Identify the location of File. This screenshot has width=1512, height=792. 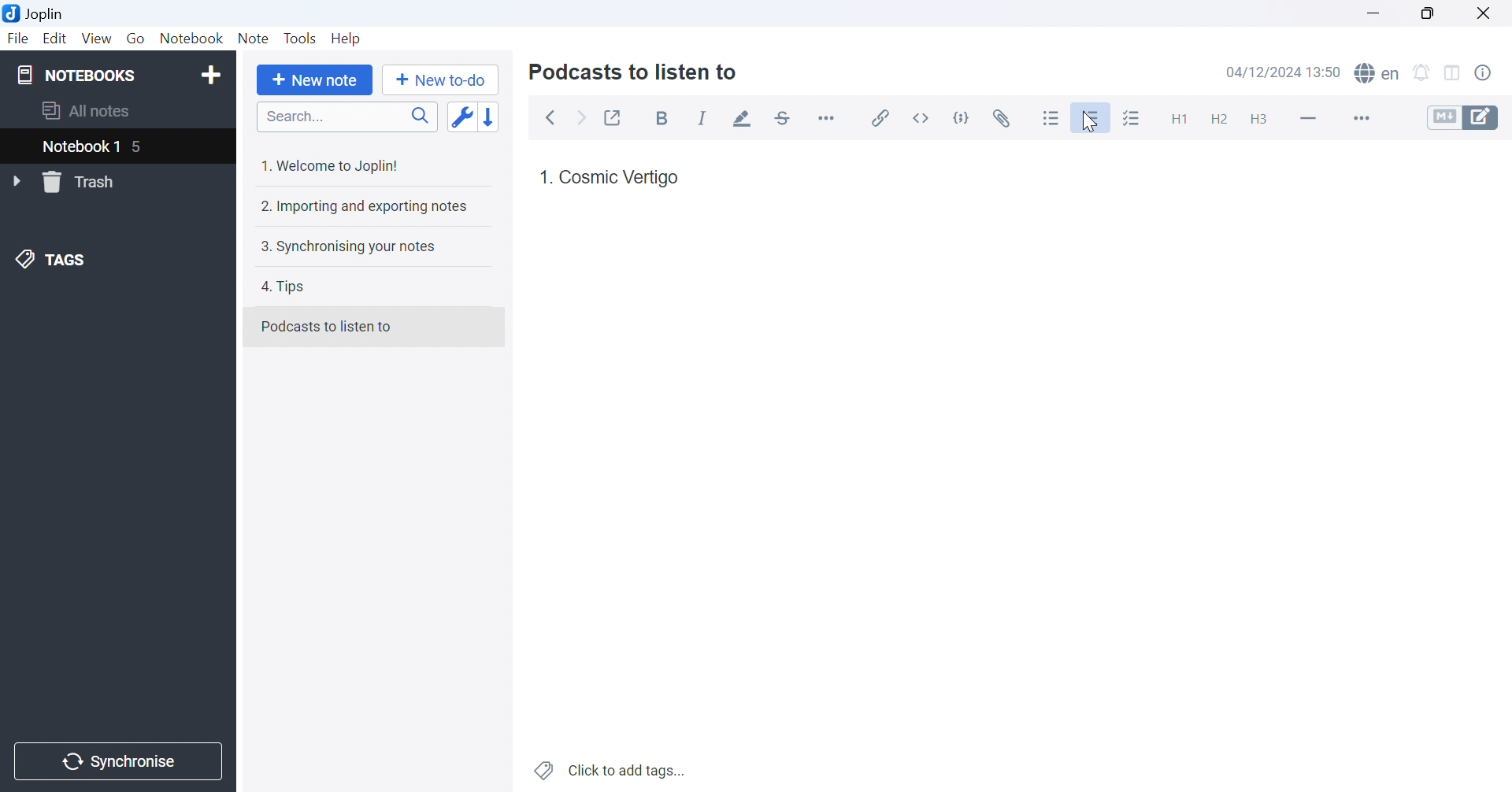
(18, 40).